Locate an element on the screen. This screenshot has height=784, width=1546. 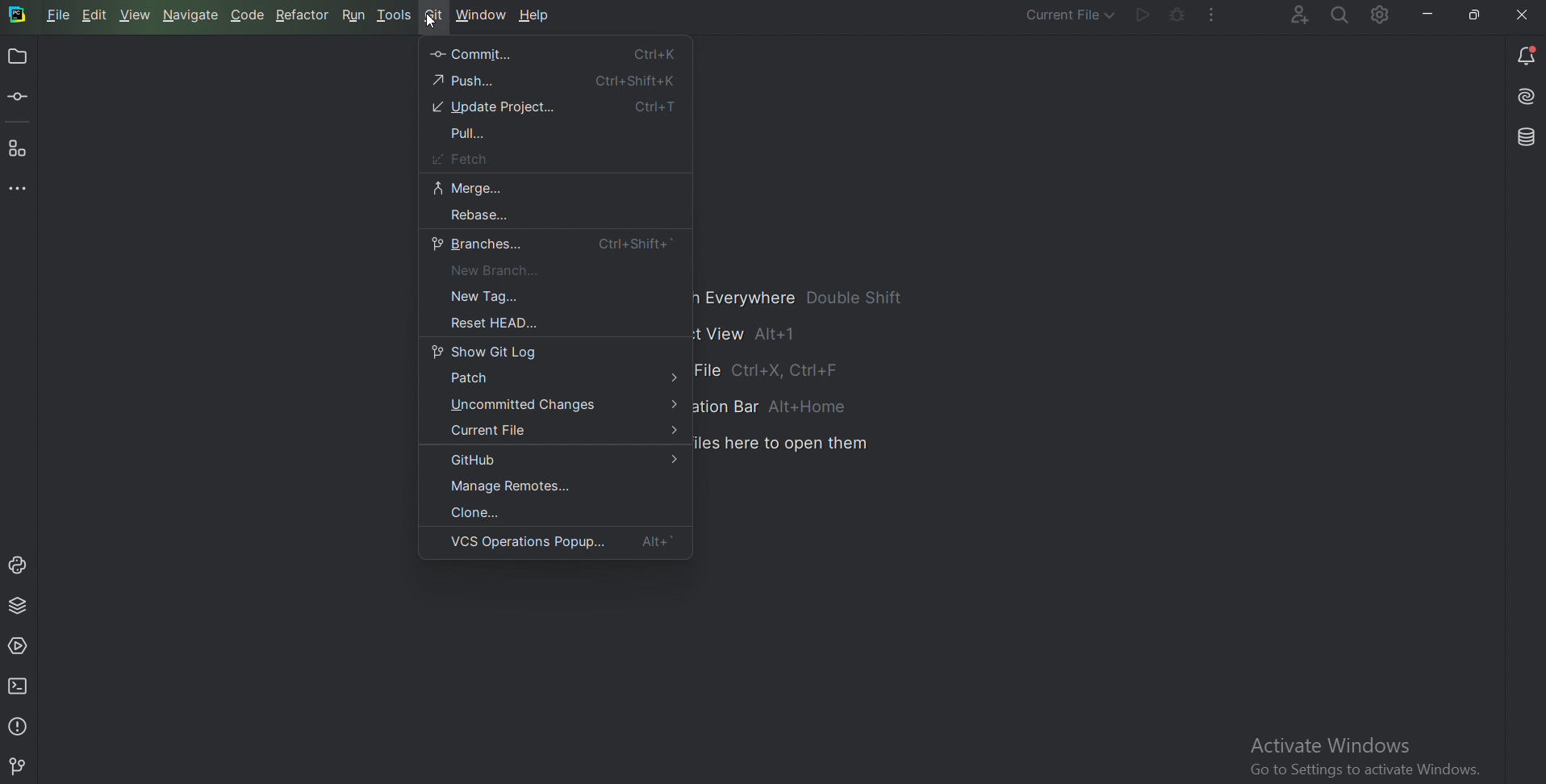
Current file is located at coordinates (1059, 15).